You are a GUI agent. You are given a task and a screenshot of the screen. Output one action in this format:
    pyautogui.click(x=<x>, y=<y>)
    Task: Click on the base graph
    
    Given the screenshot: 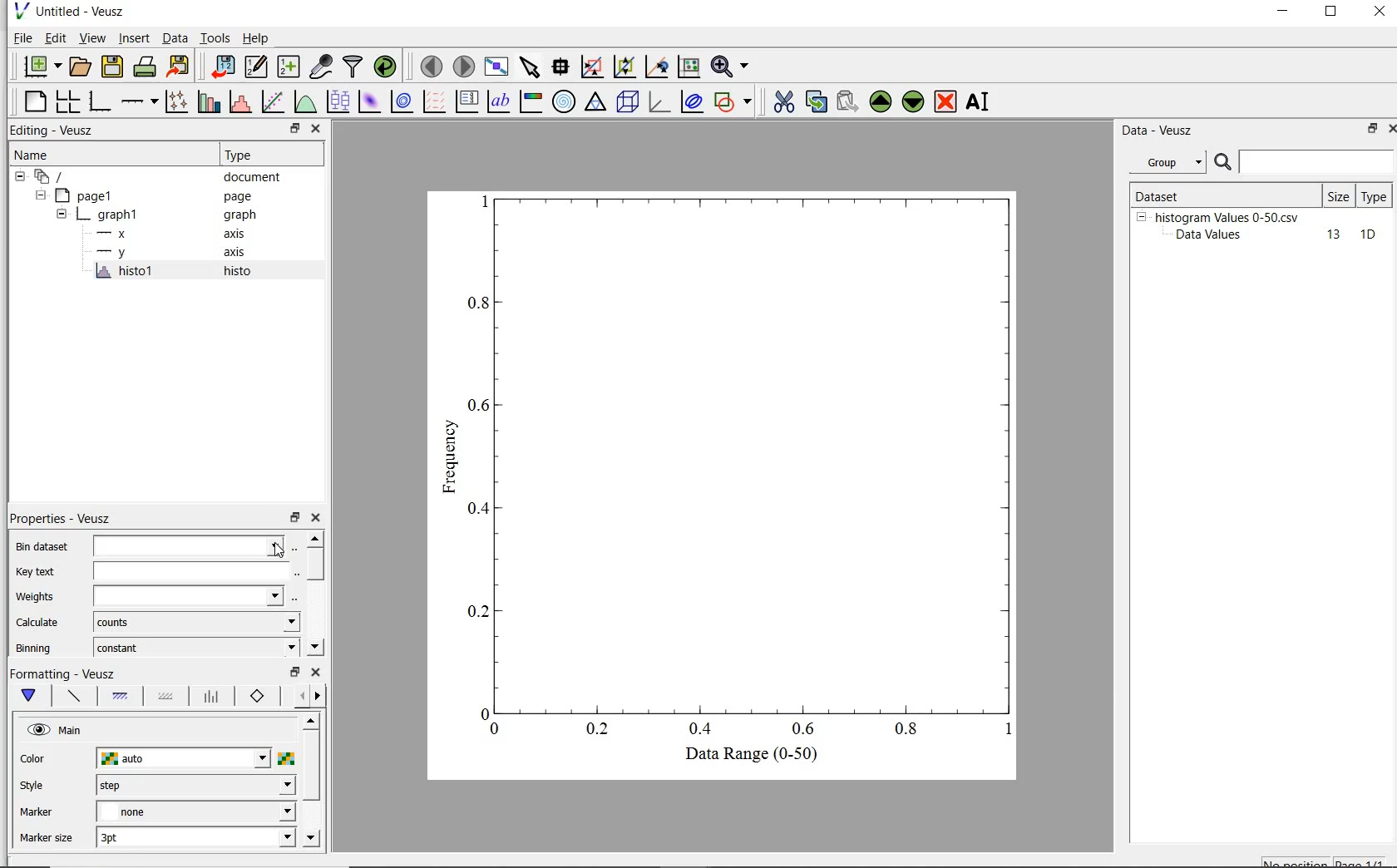 What is the action you would take?
    pyautogui.click(x=101, y=101)
    